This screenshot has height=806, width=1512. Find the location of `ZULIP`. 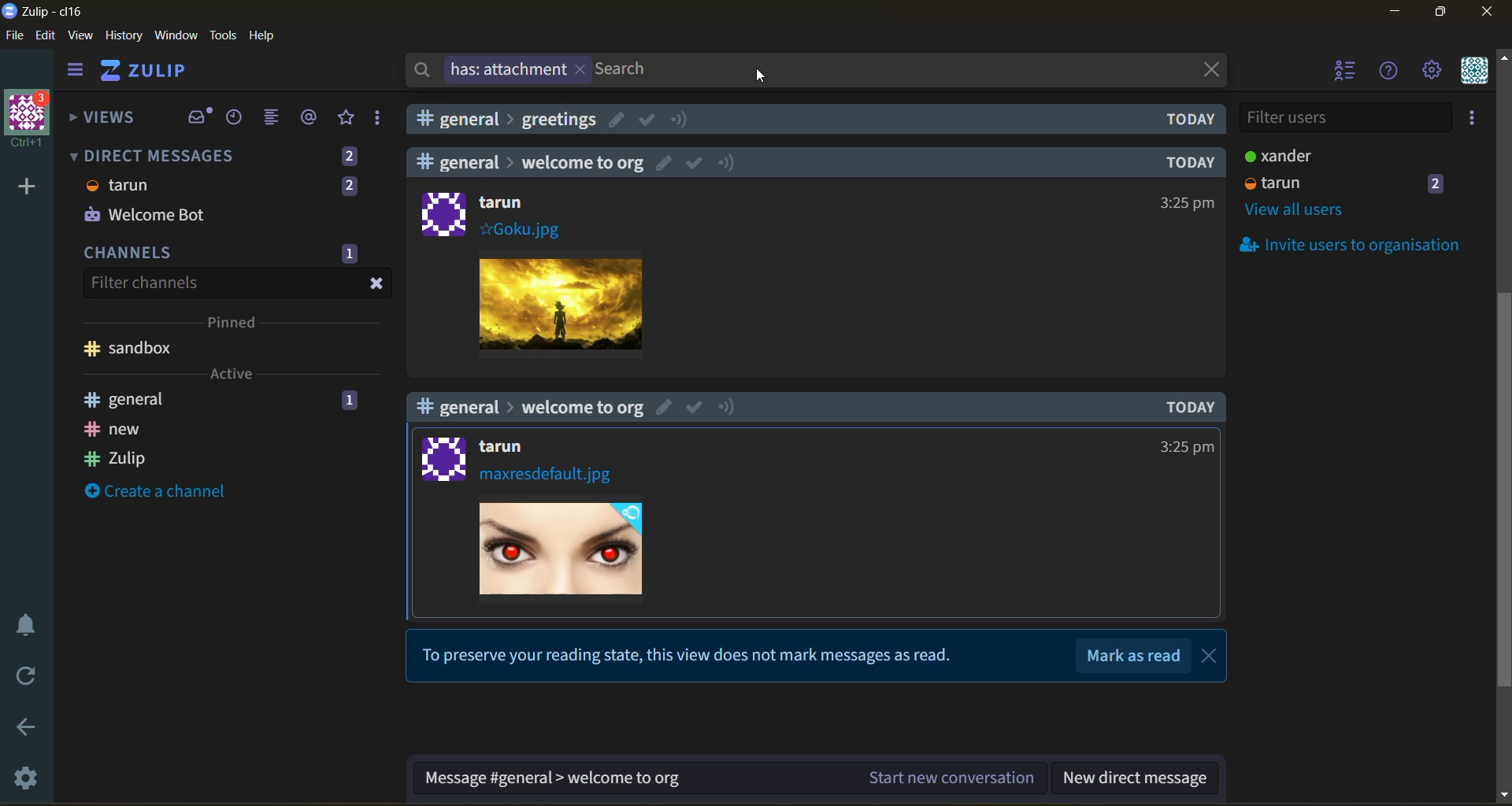

ZULIP is located at coordinates (146, 70).